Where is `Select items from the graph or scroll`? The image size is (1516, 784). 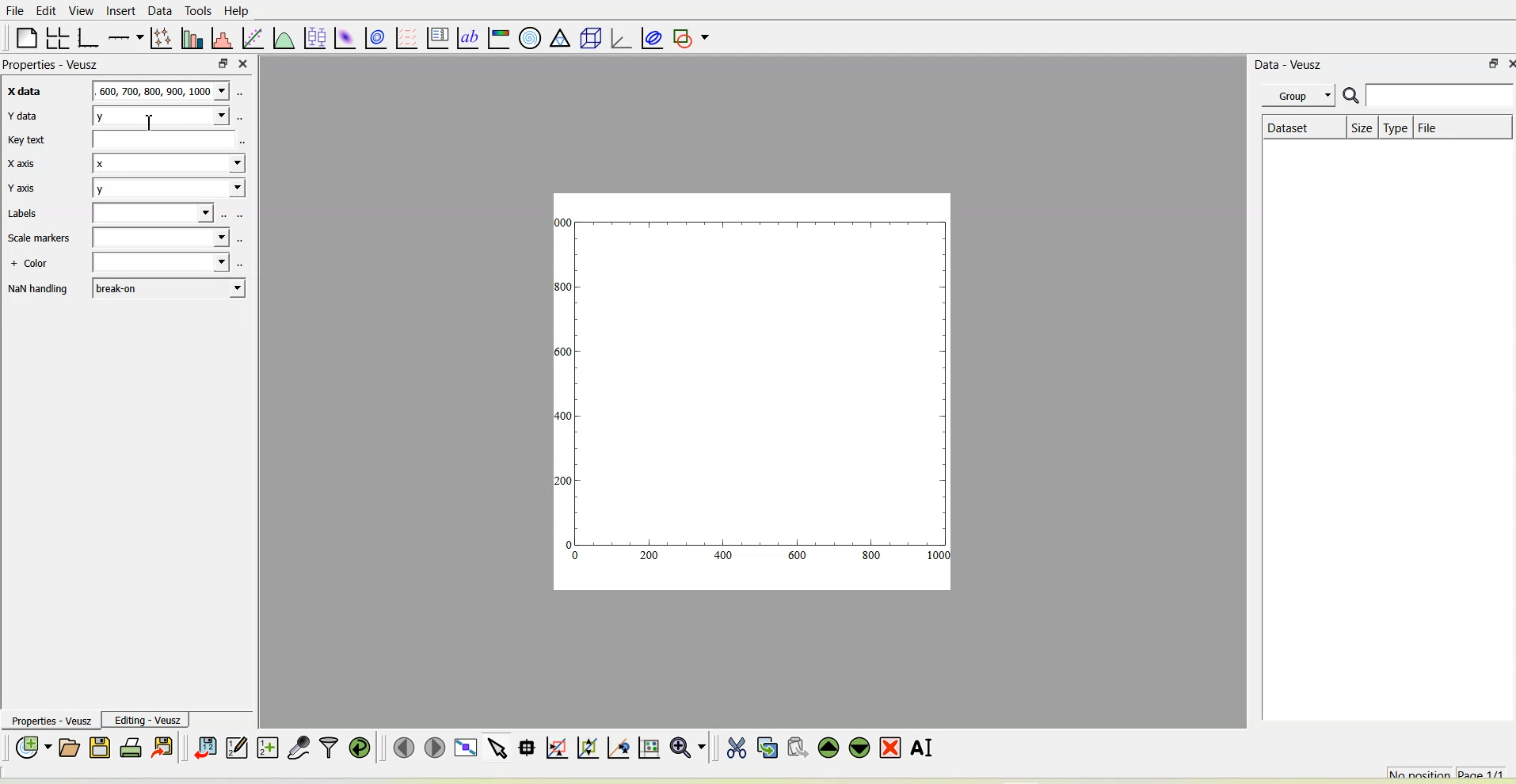 Select items from the graph or scroll is located at coordinates (498, 748).